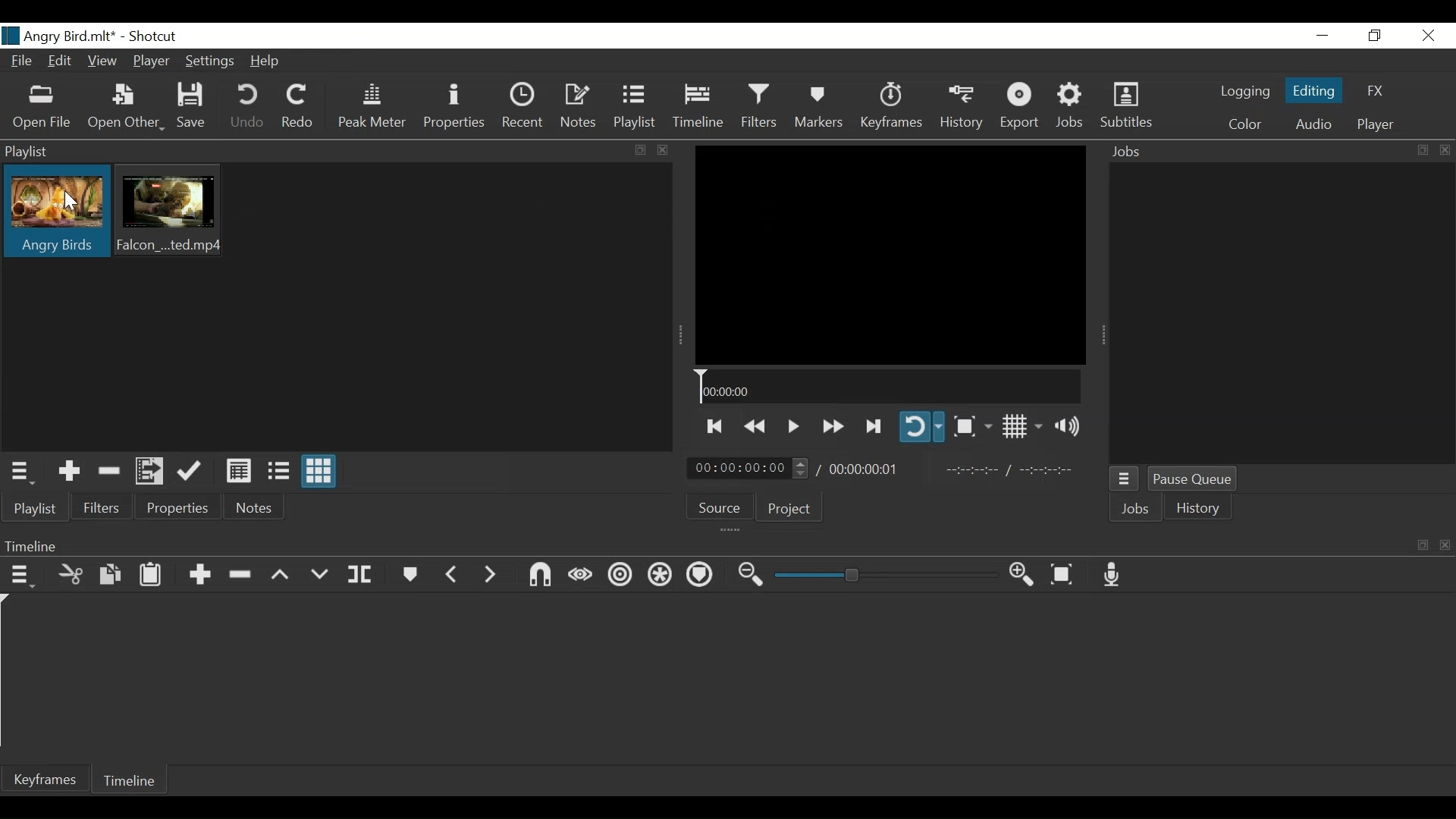 The height and width of the screenshot is (819, 1456). I want to click on Jobs Panel, so click(1277, 150).